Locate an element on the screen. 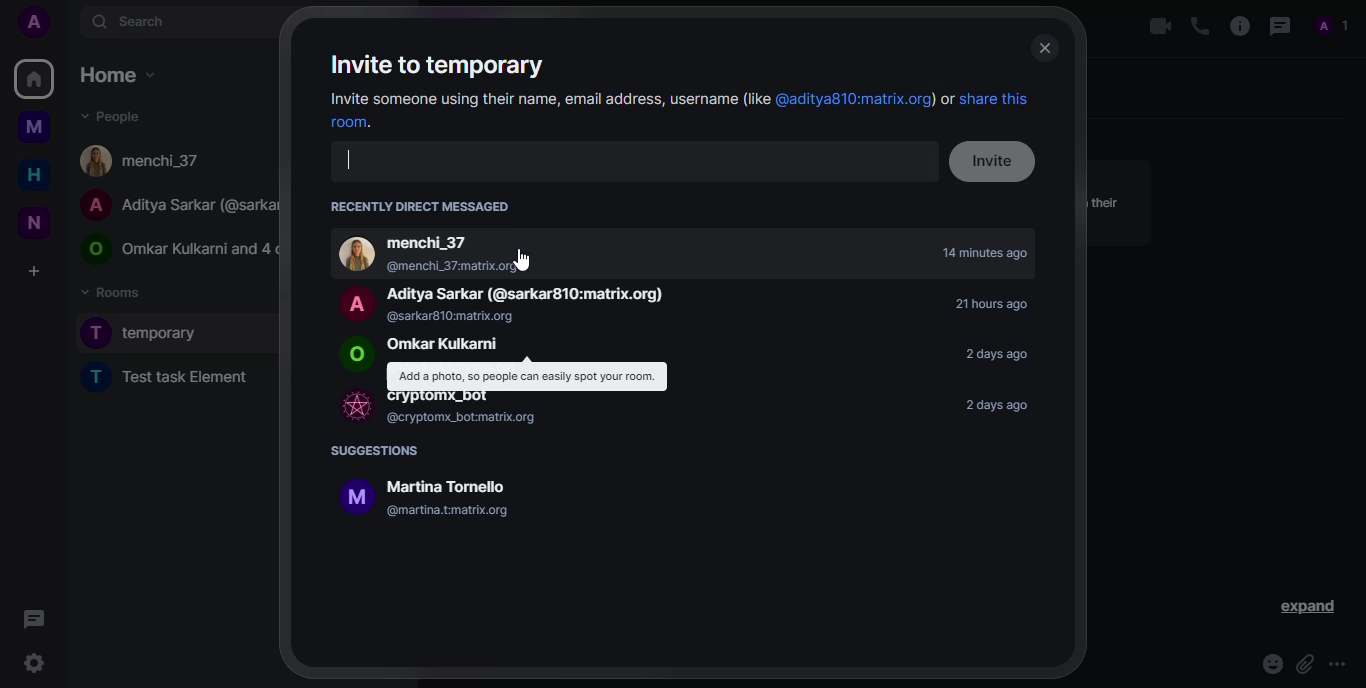  threads is located at coordinates (1278, 26).